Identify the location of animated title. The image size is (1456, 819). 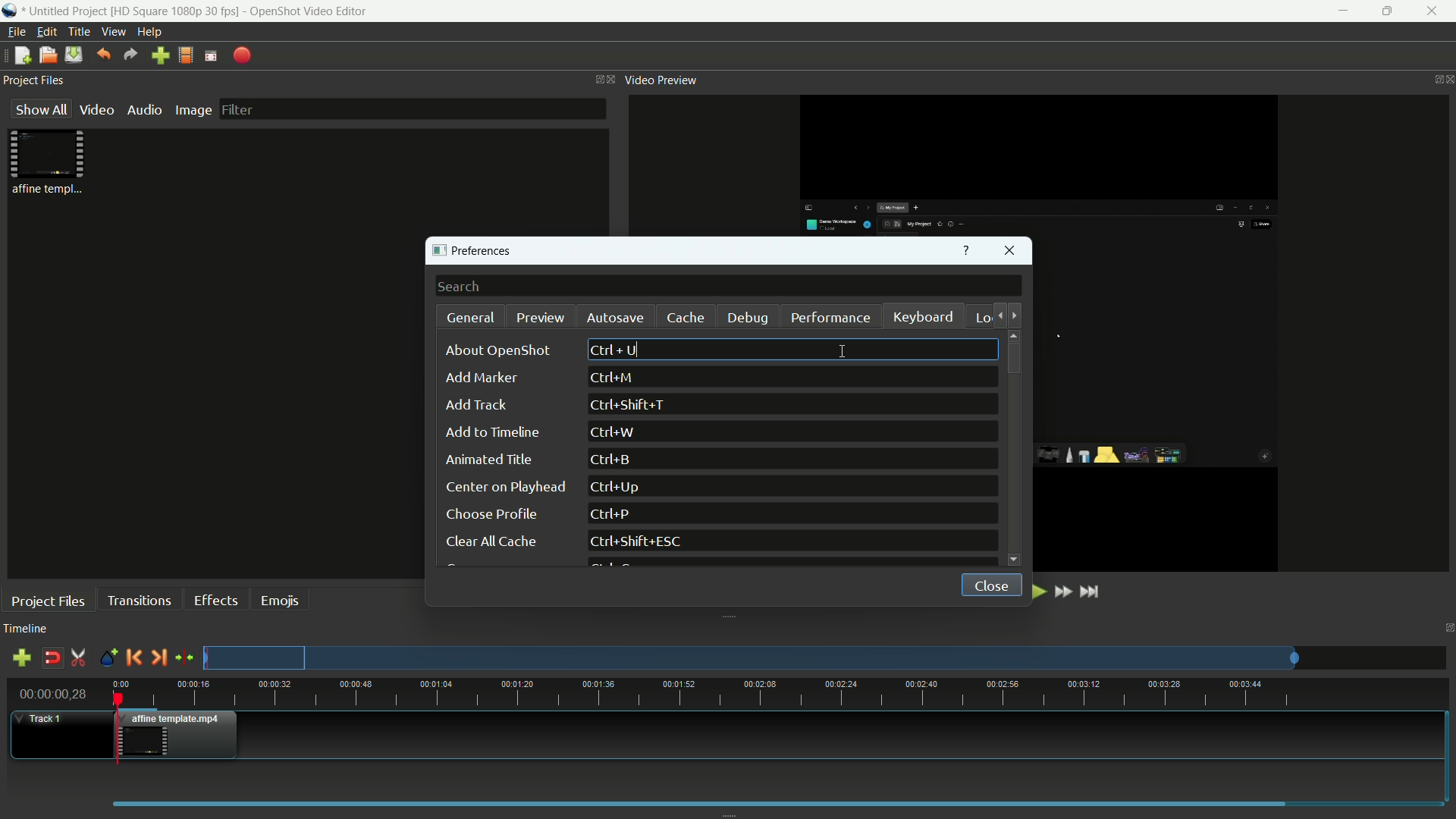
(491, 460).